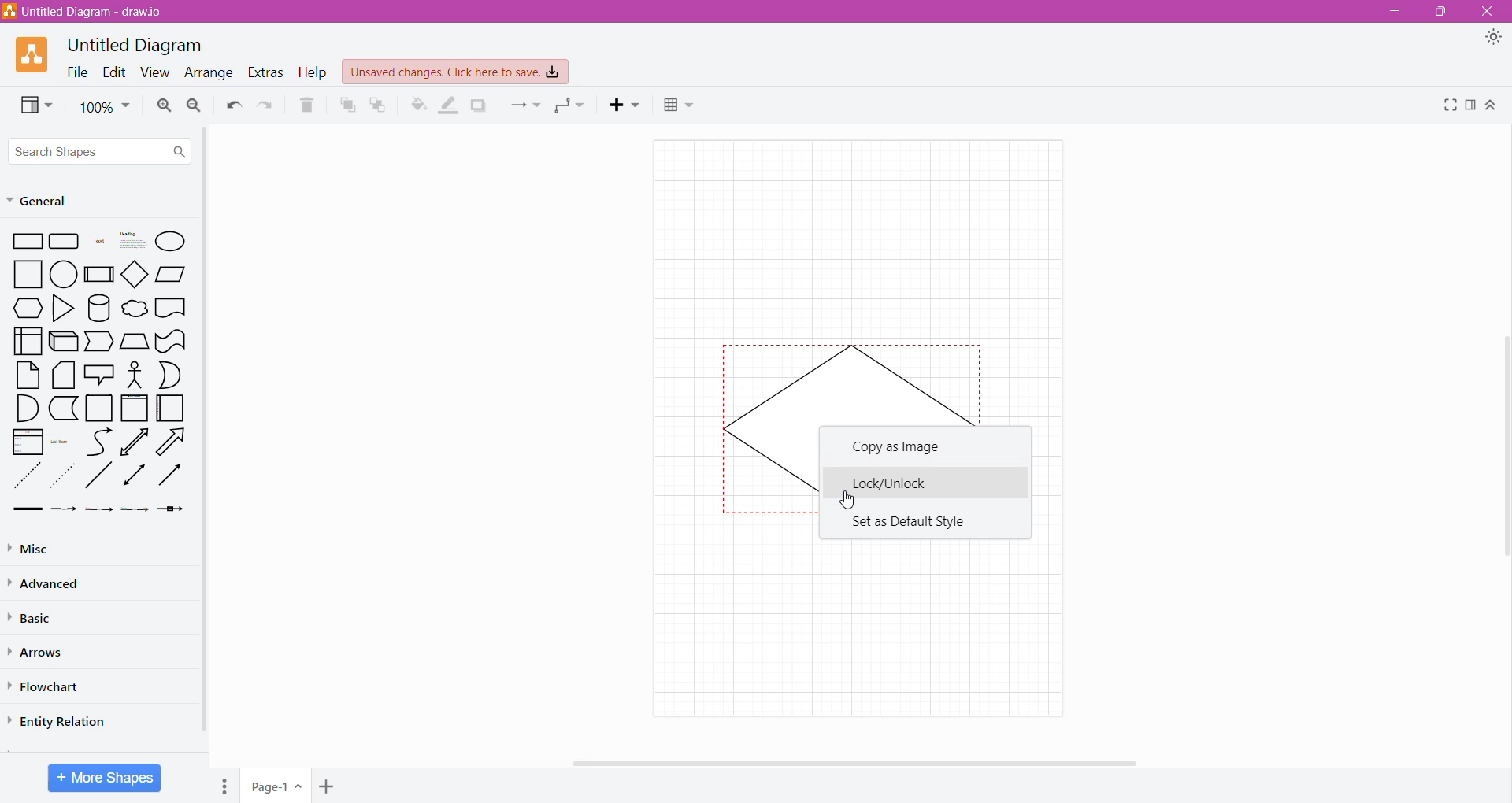 The width and height of the screenshot is (1512, 803). What do you see at coordinates (61, 442) in the screenshot?
I see `List Item` at bounding box center [61, 442].